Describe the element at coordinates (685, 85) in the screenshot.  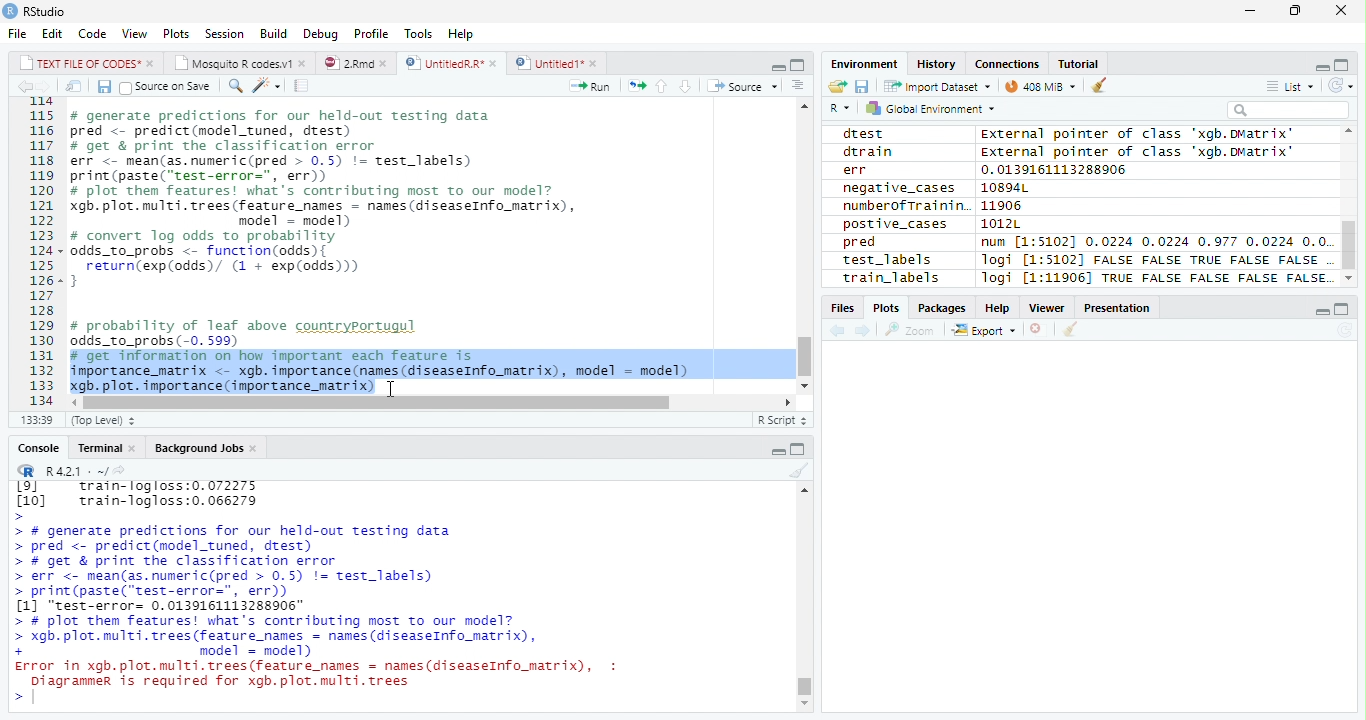
I see `Down` at that location.